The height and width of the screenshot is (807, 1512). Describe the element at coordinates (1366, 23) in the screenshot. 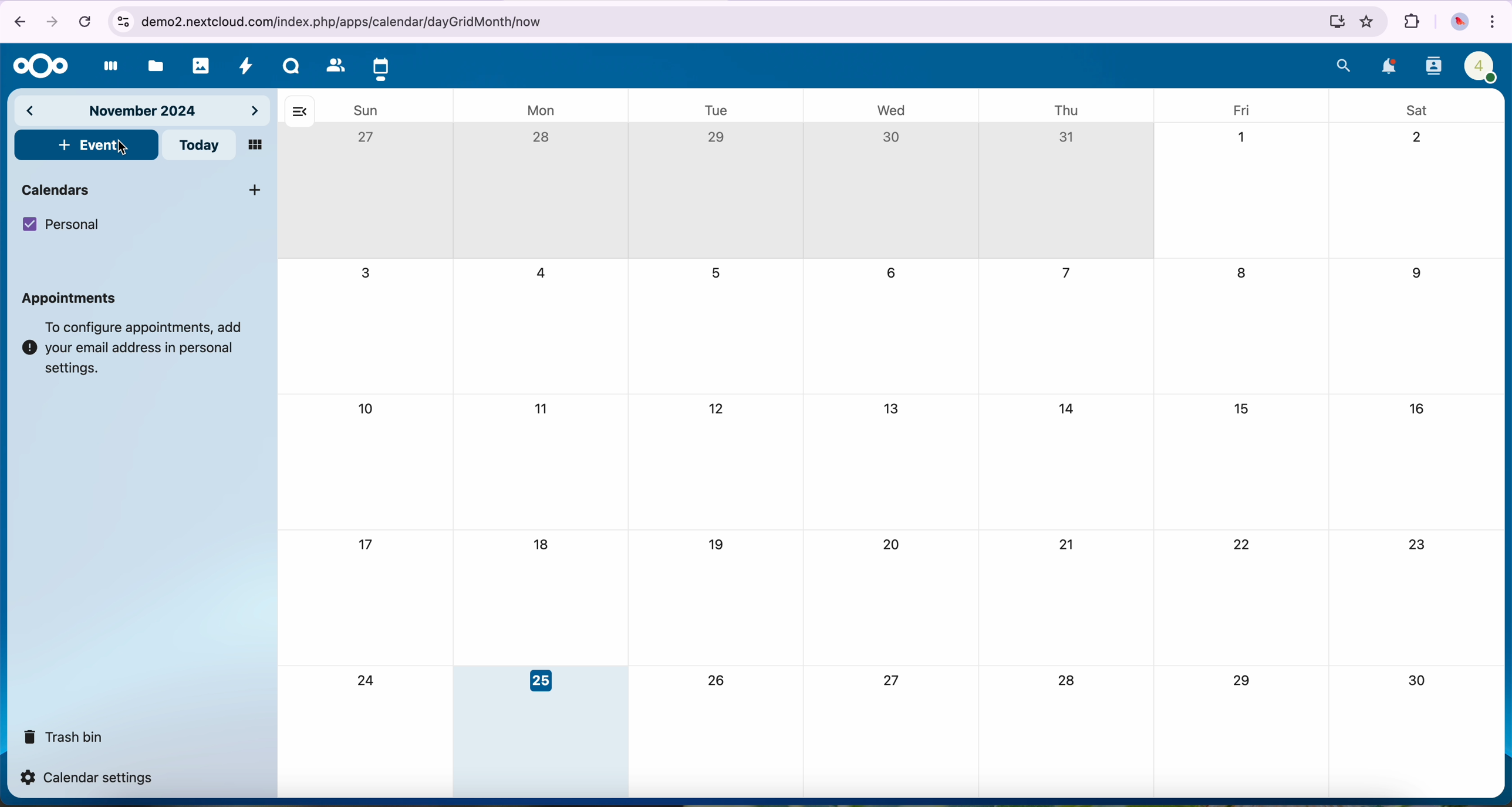

I see `favorites` at that location.